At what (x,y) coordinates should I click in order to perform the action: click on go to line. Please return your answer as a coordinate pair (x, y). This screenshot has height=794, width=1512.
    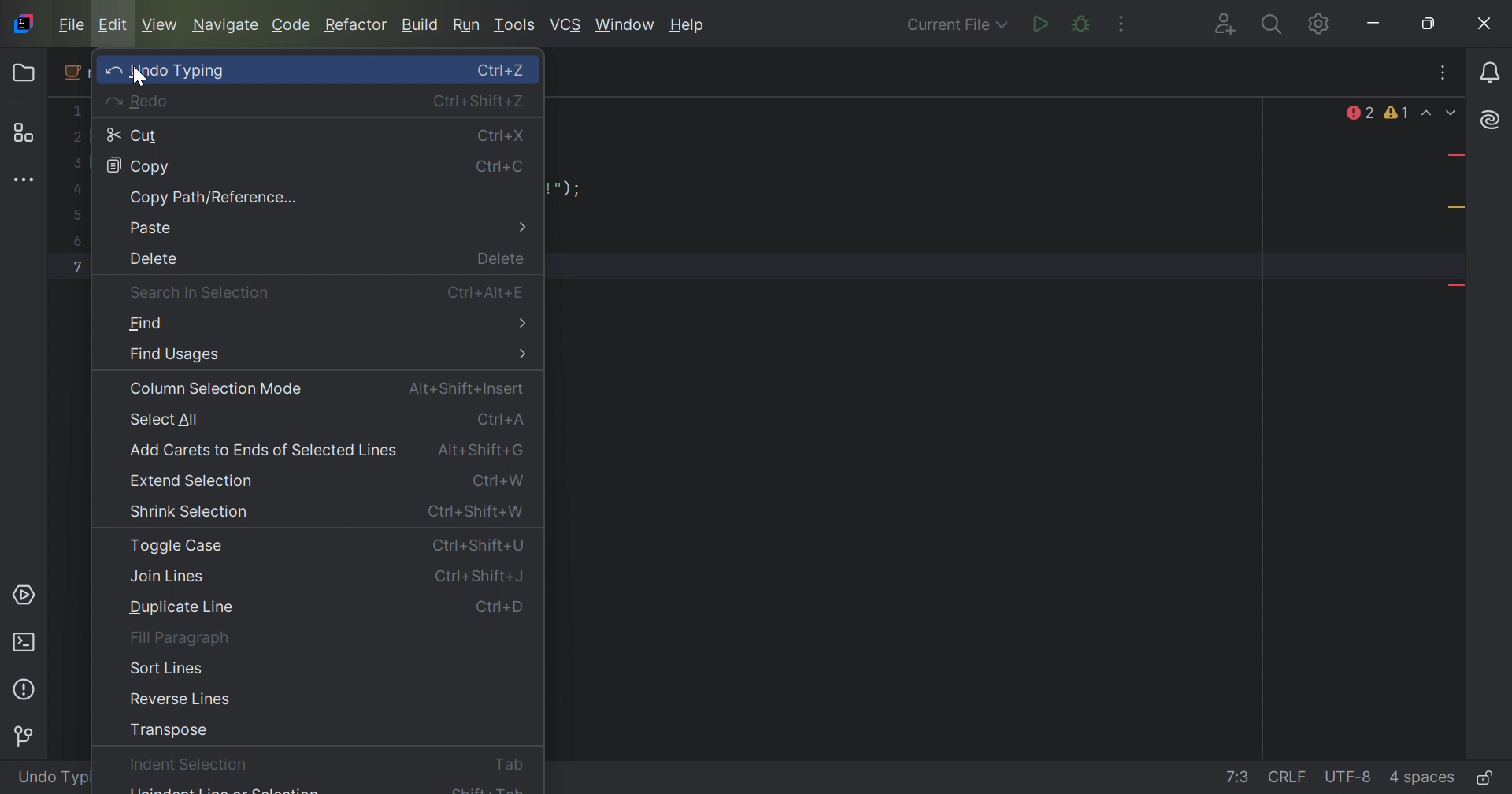
    Looking at the image, I should click on (1236, 777).